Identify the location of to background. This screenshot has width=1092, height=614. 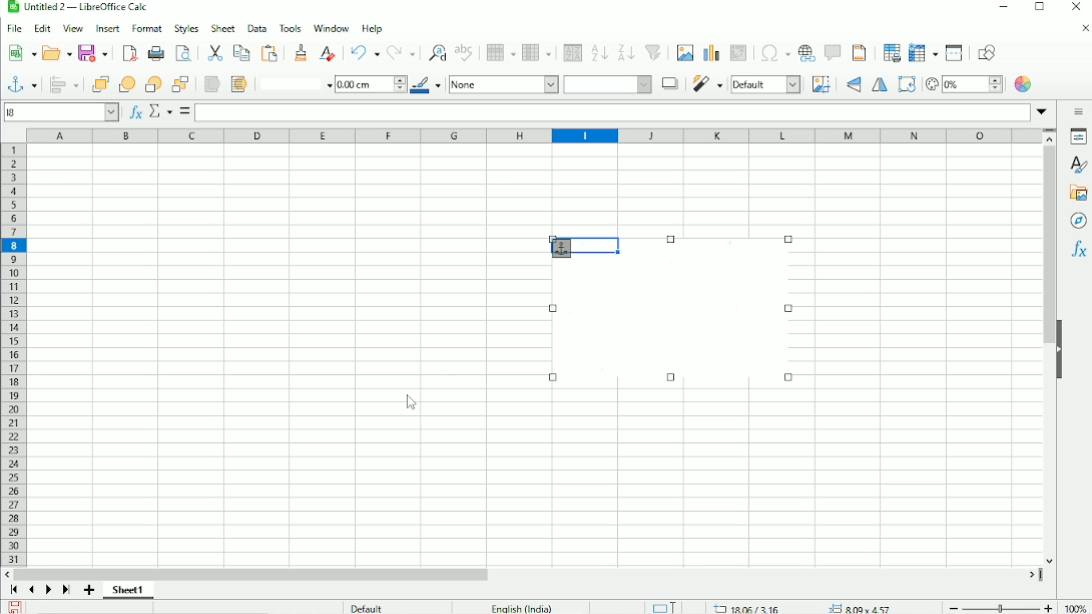
(238, 84).